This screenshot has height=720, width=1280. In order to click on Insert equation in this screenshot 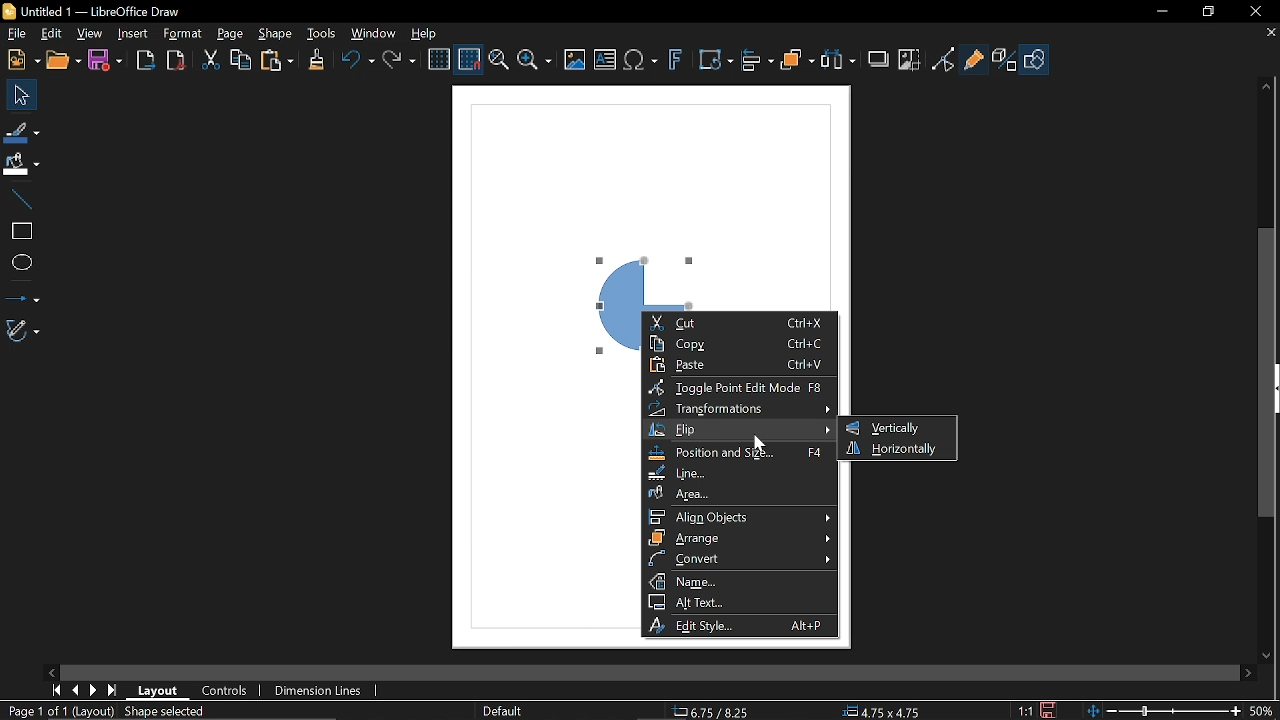, I will do `click(641, 61)`.